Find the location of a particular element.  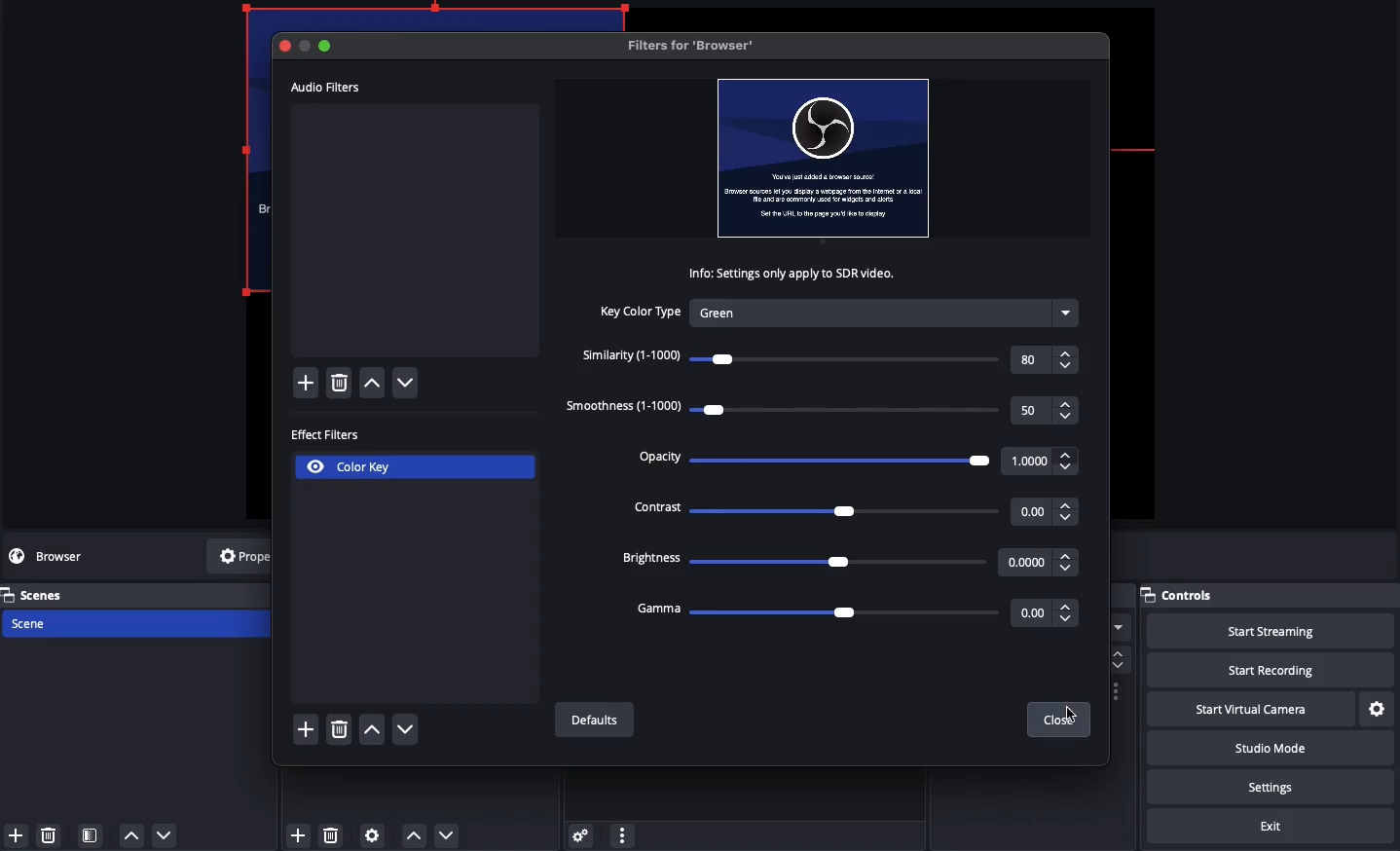

Add is located at coordinates (309, 383).